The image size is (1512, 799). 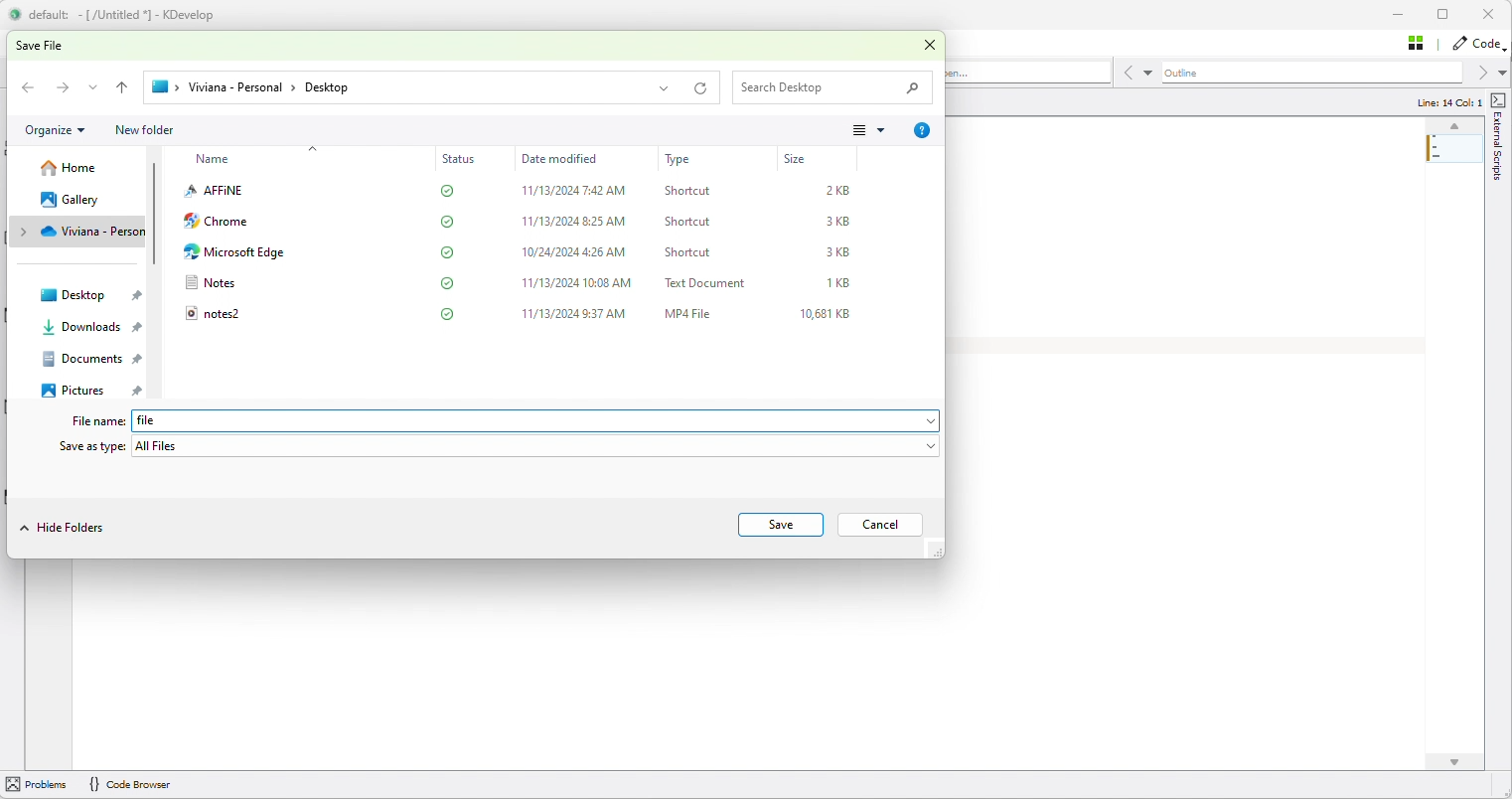 I want to click on external scripts, so click(x=1497, y=183).